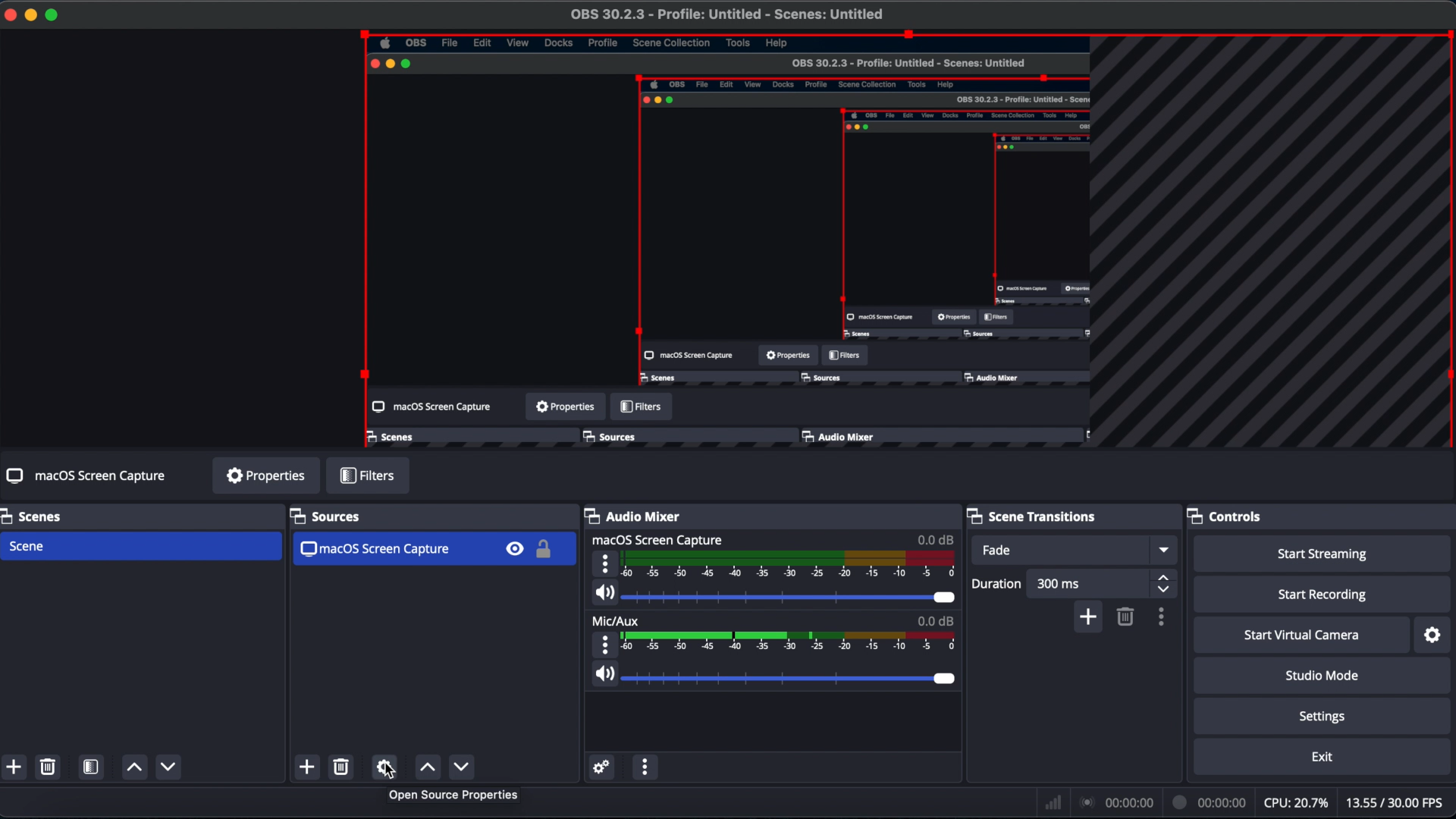 The height and width of the screenshot is (819, 1456). I want to click on frames per second, so click(1395, 802).